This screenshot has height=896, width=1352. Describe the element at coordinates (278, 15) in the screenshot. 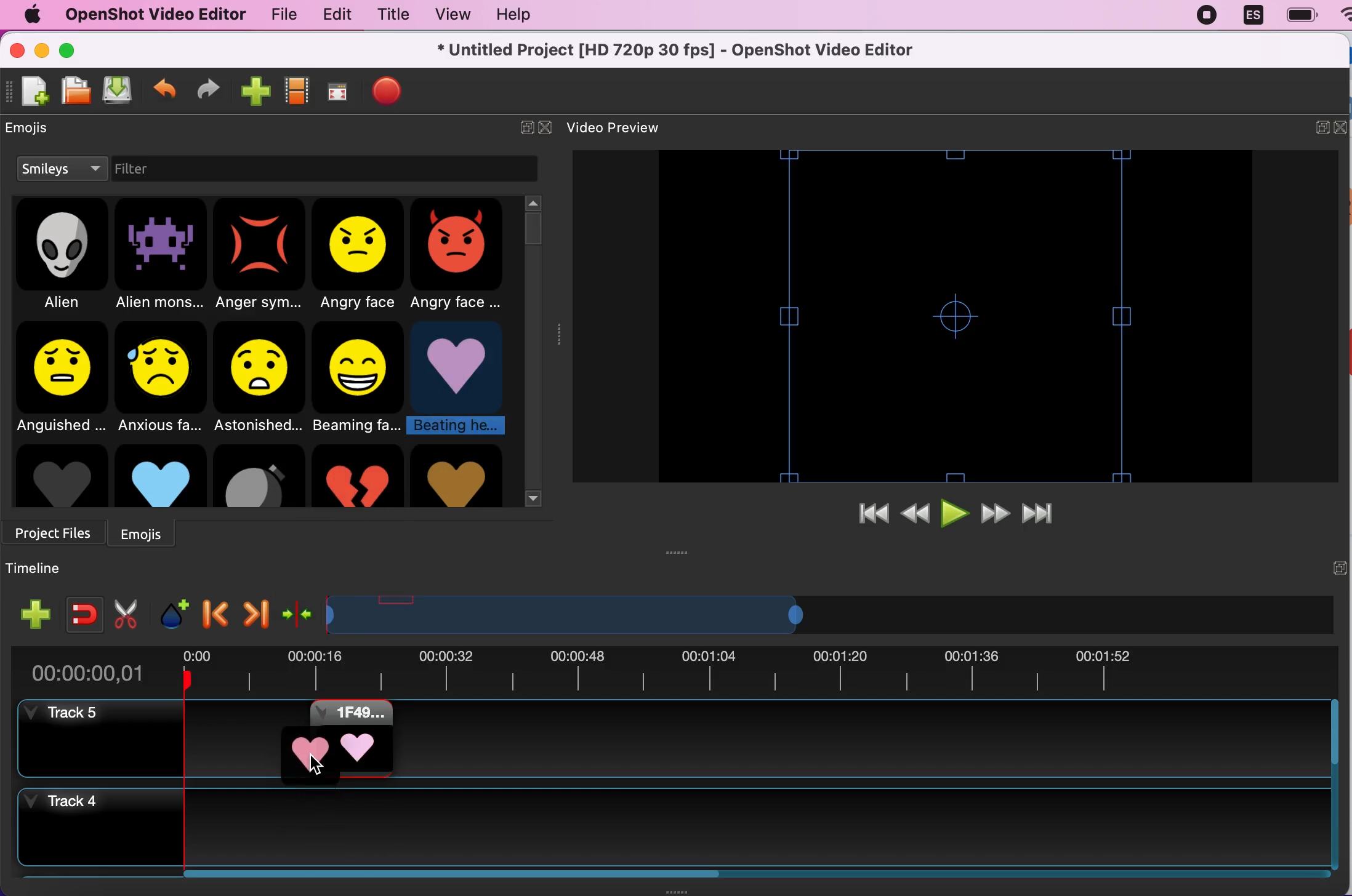

I see `file` at that location.